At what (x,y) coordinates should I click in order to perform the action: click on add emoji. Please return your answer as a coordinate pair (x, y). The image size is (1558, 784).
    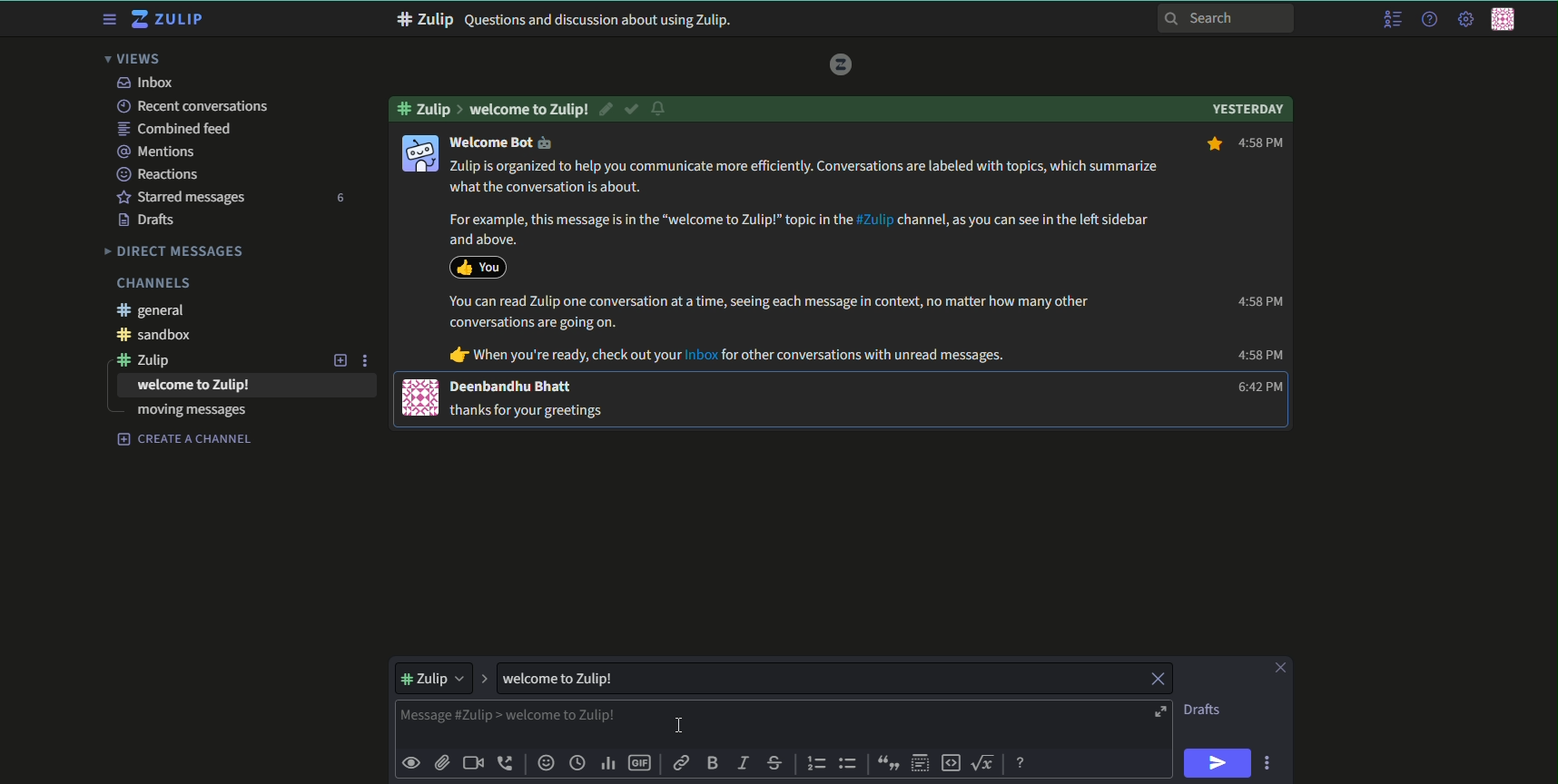
    Looking at the image, I should click on (545, 763).